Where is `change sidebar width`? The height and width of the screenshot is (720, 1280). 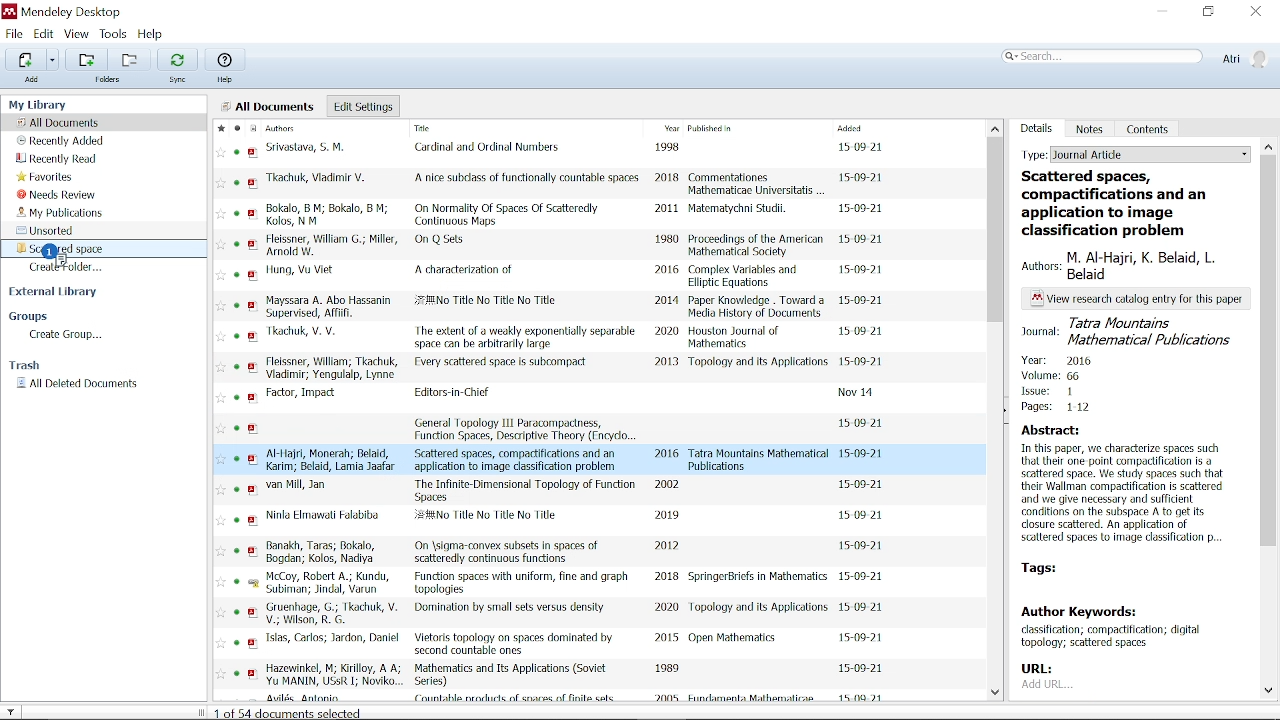
change sidebar width is located at coordinates (200, 712).